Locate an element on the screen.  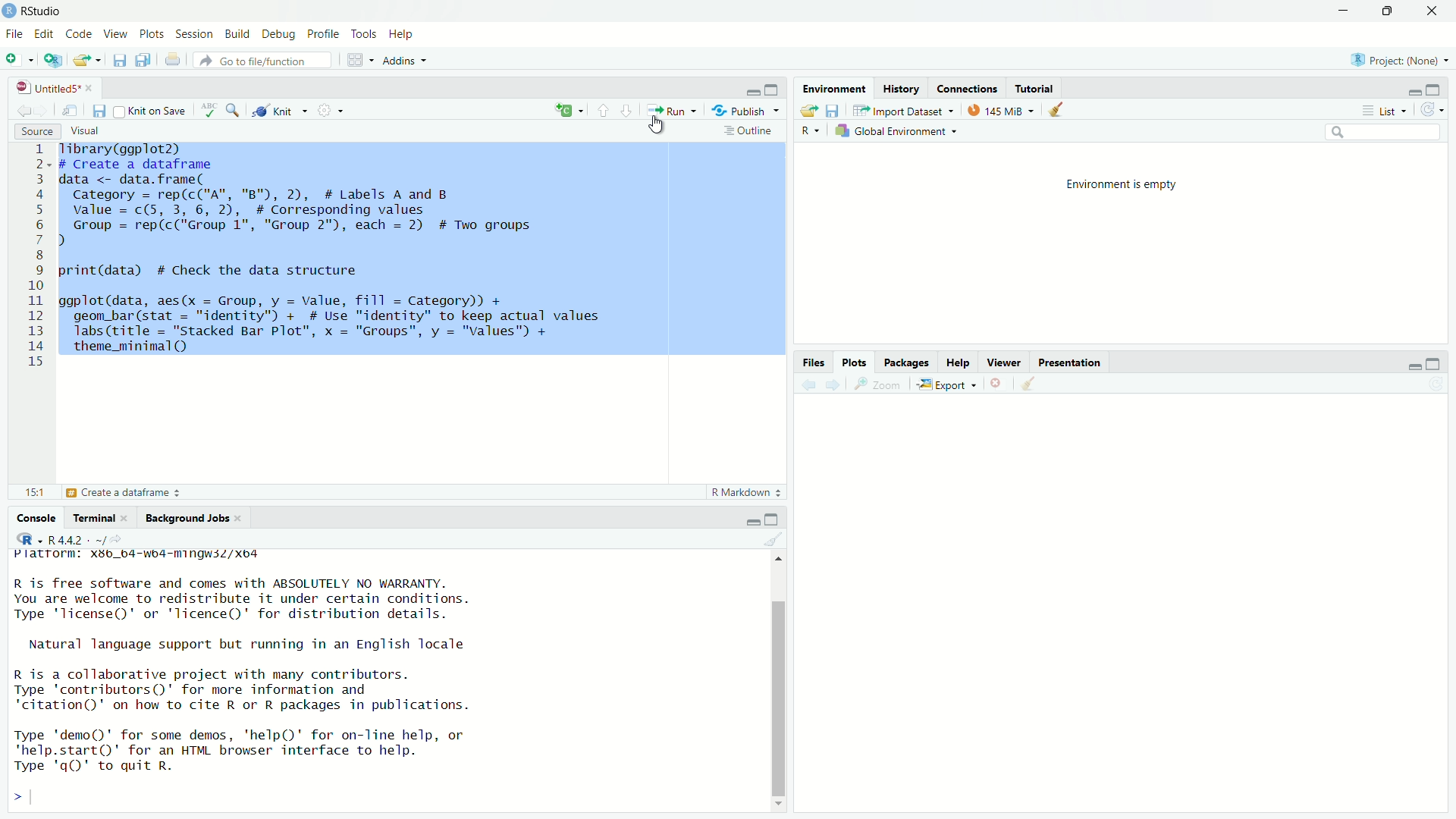
Tutotiral is located at coordinates (1035, 87).